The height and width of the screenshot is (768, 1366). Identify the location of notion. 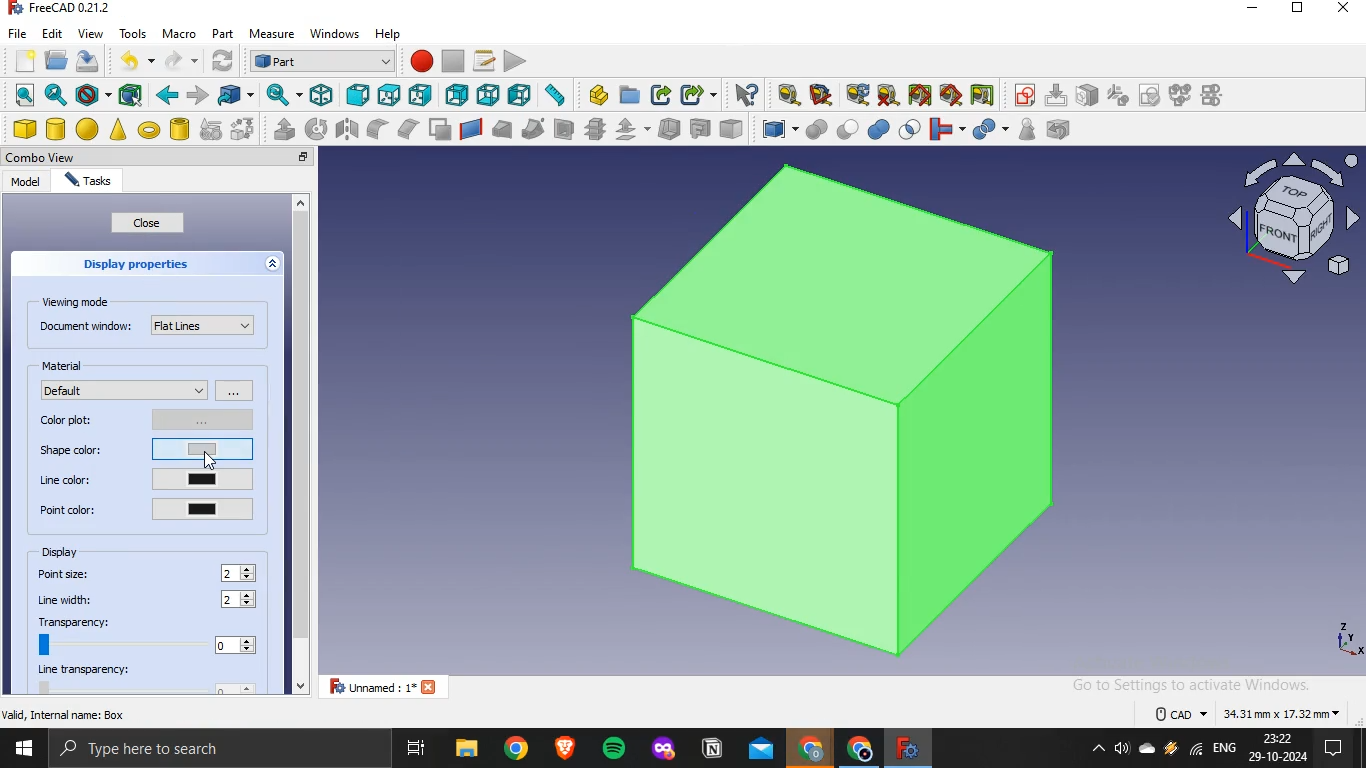
(713, 750).